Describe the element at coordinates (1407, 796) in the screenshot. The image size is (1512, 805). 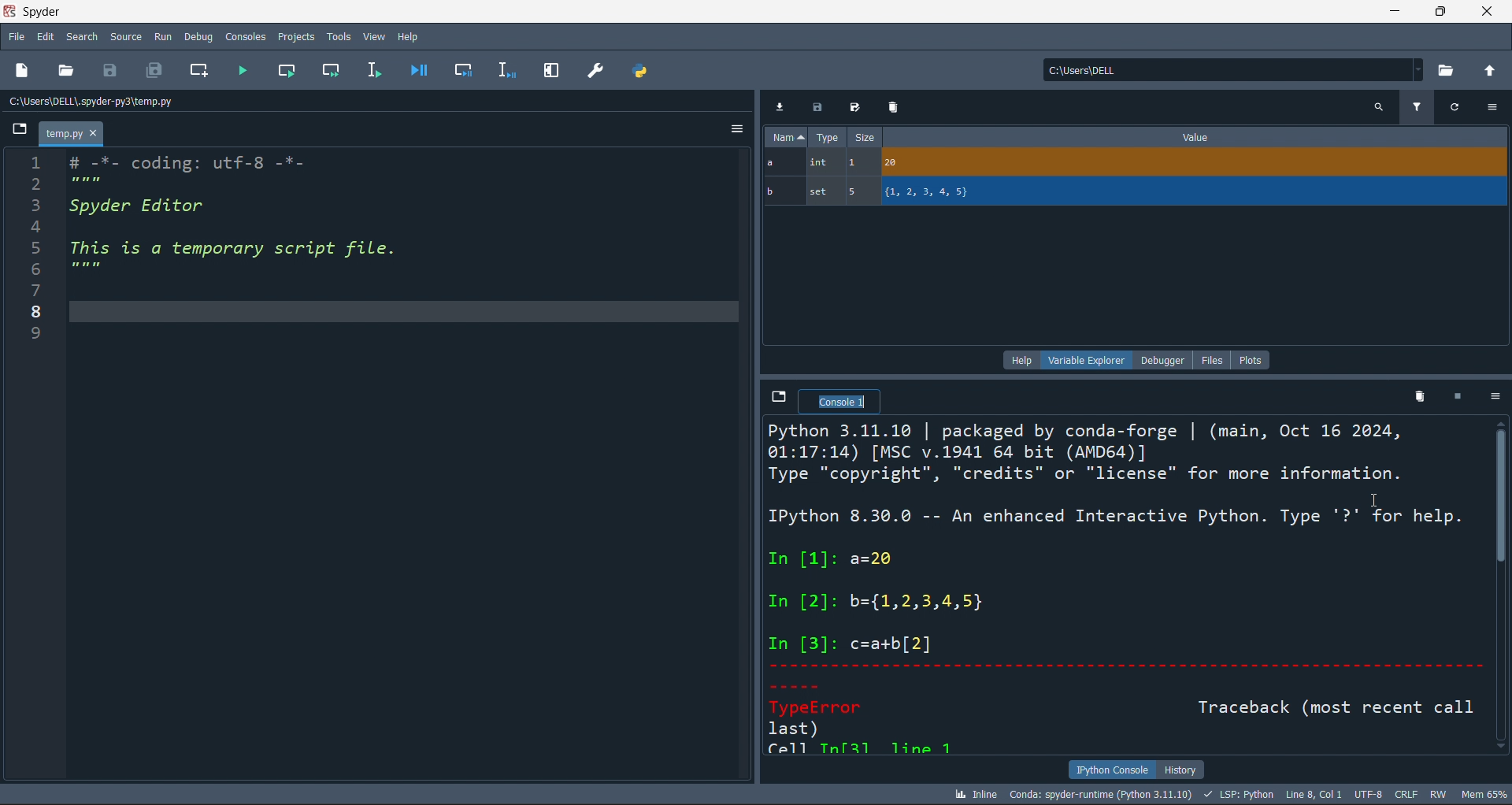
I see `CRLF` at that location.